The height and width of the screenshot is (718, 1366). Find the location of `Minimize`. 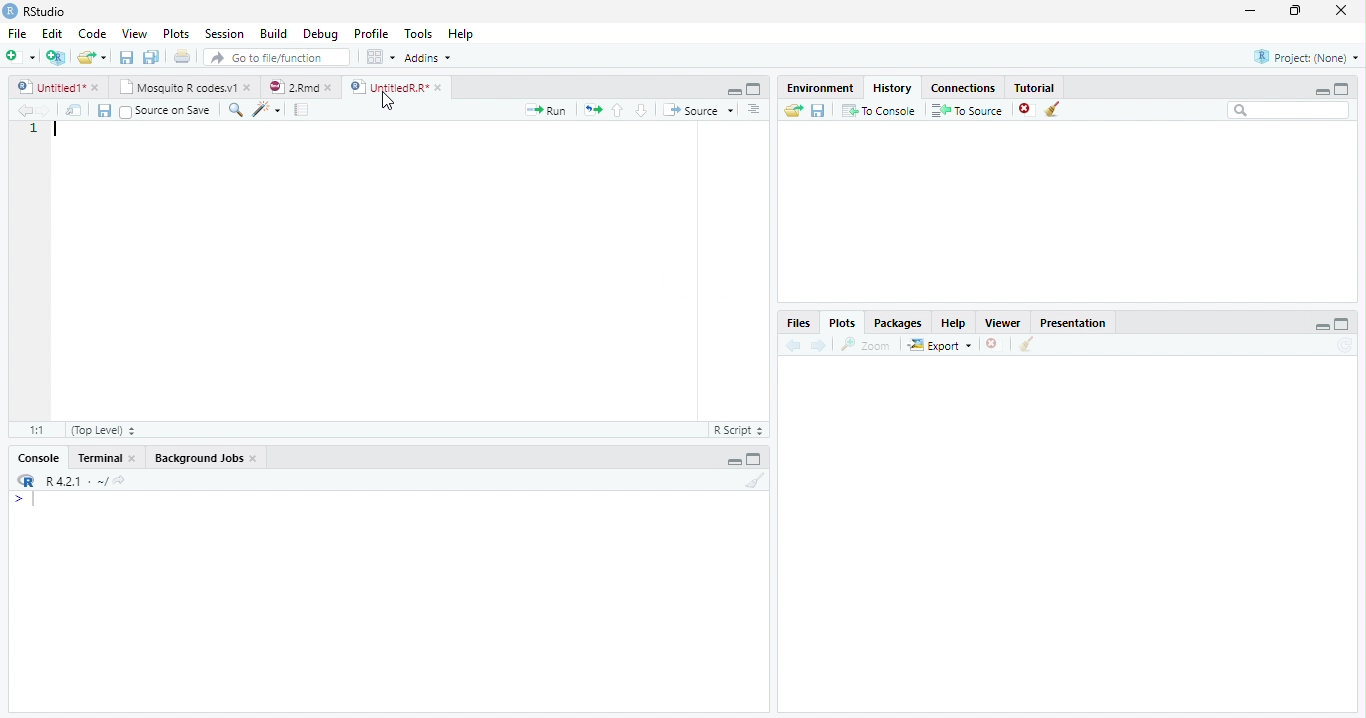

Minimize is located at coordinates (733, 462).